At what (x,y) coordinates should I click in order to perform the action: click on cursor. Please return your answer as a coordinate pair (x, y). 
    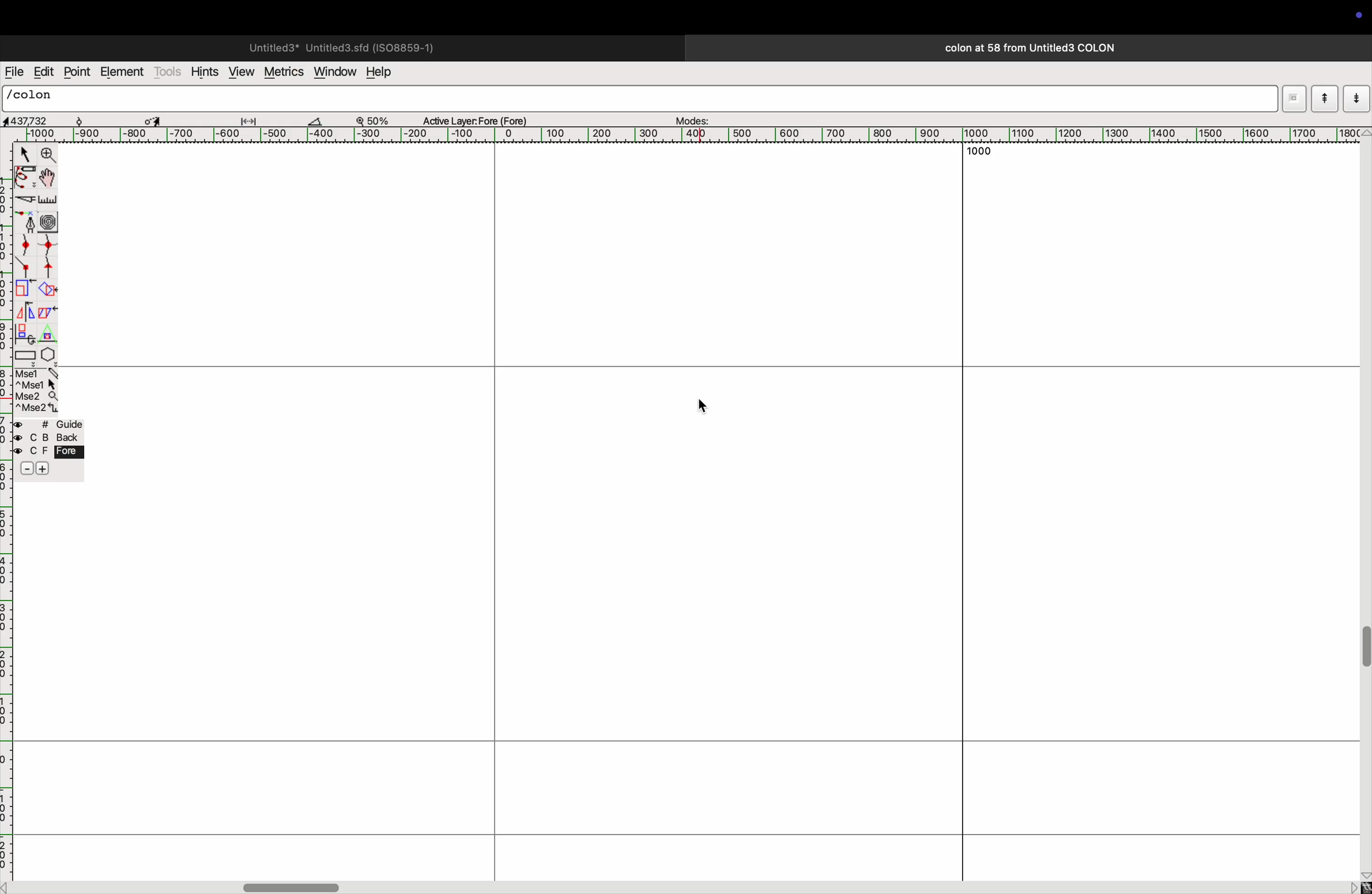
    Looking at the image, I should click on (22, 153).